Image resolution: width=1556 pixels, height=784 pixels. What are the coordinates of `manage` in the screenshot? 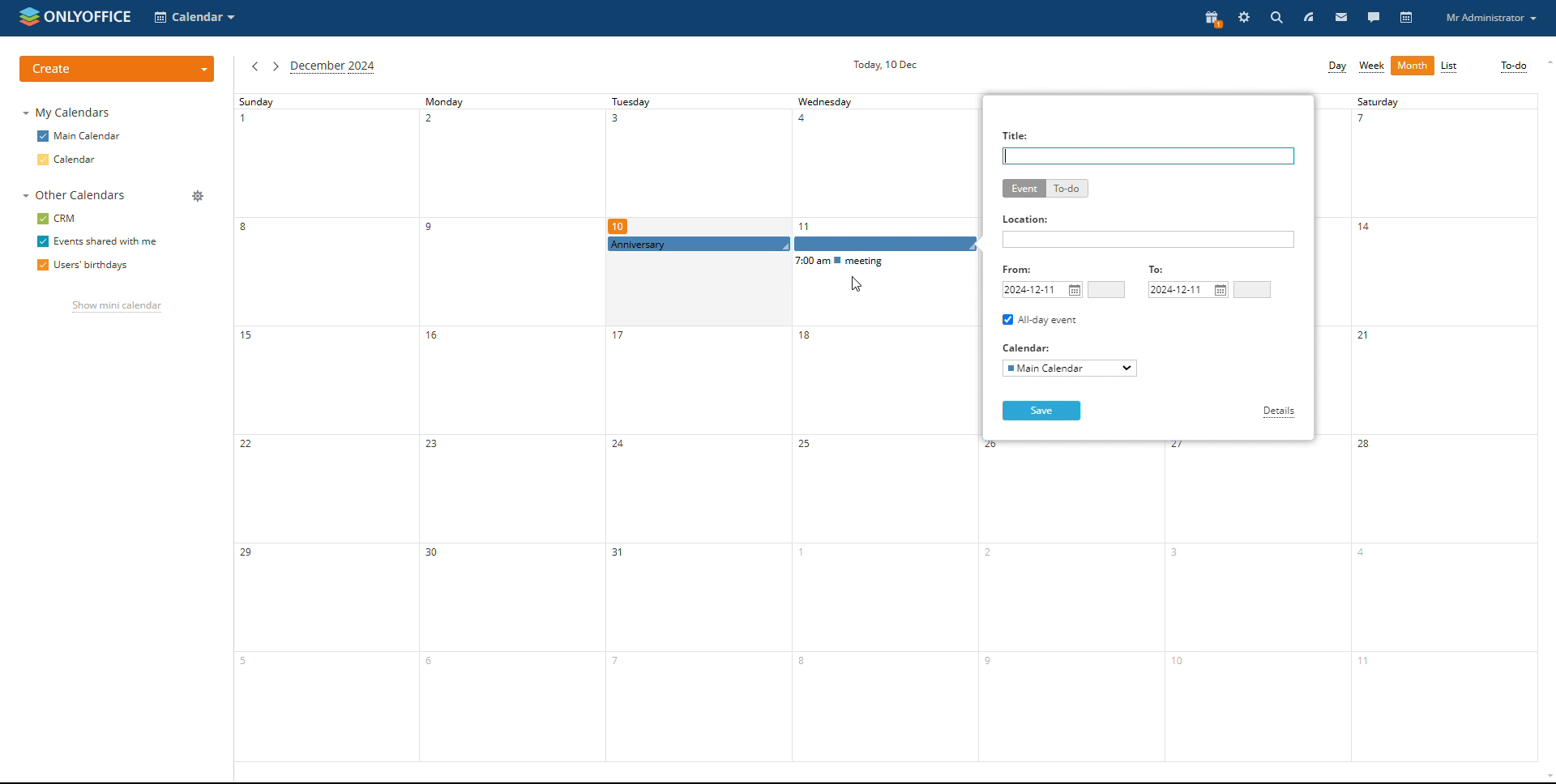 It's located at (197, 196).